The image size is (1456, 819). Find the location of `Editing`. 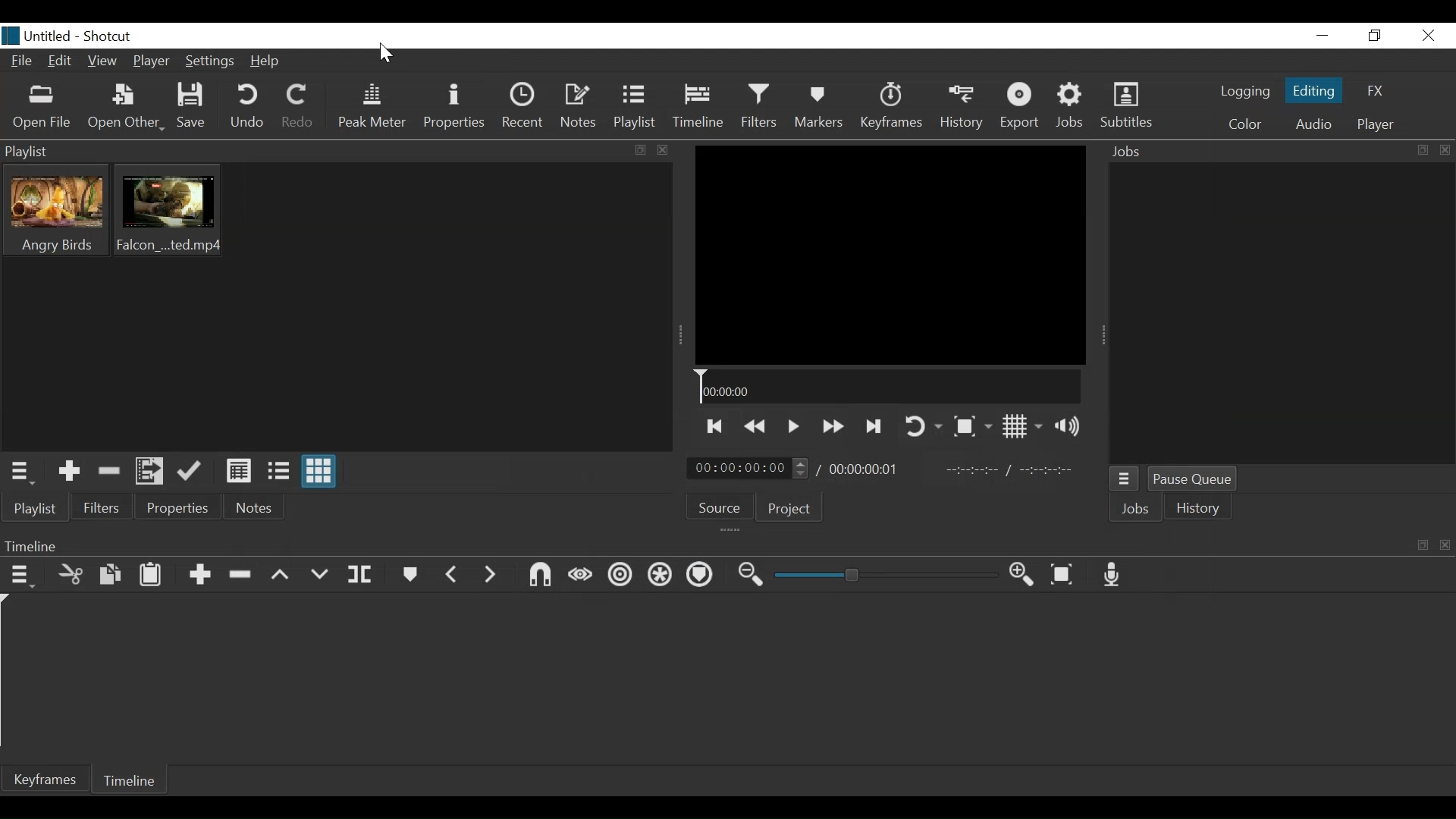

Editing is located at coordinates (1312, 89).